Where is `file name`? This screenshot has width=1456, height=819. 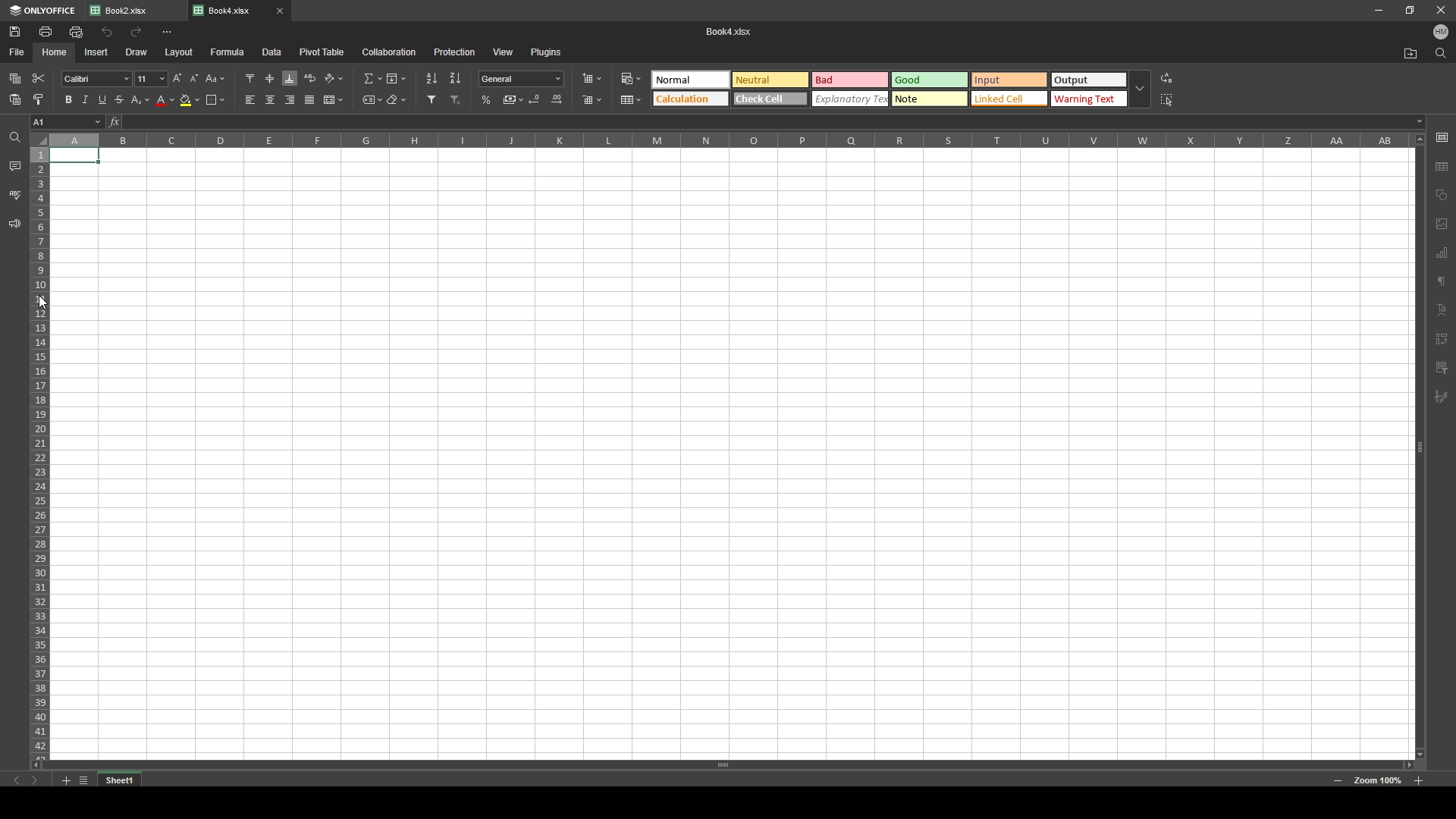
file name is located at coordinates (730, 32).